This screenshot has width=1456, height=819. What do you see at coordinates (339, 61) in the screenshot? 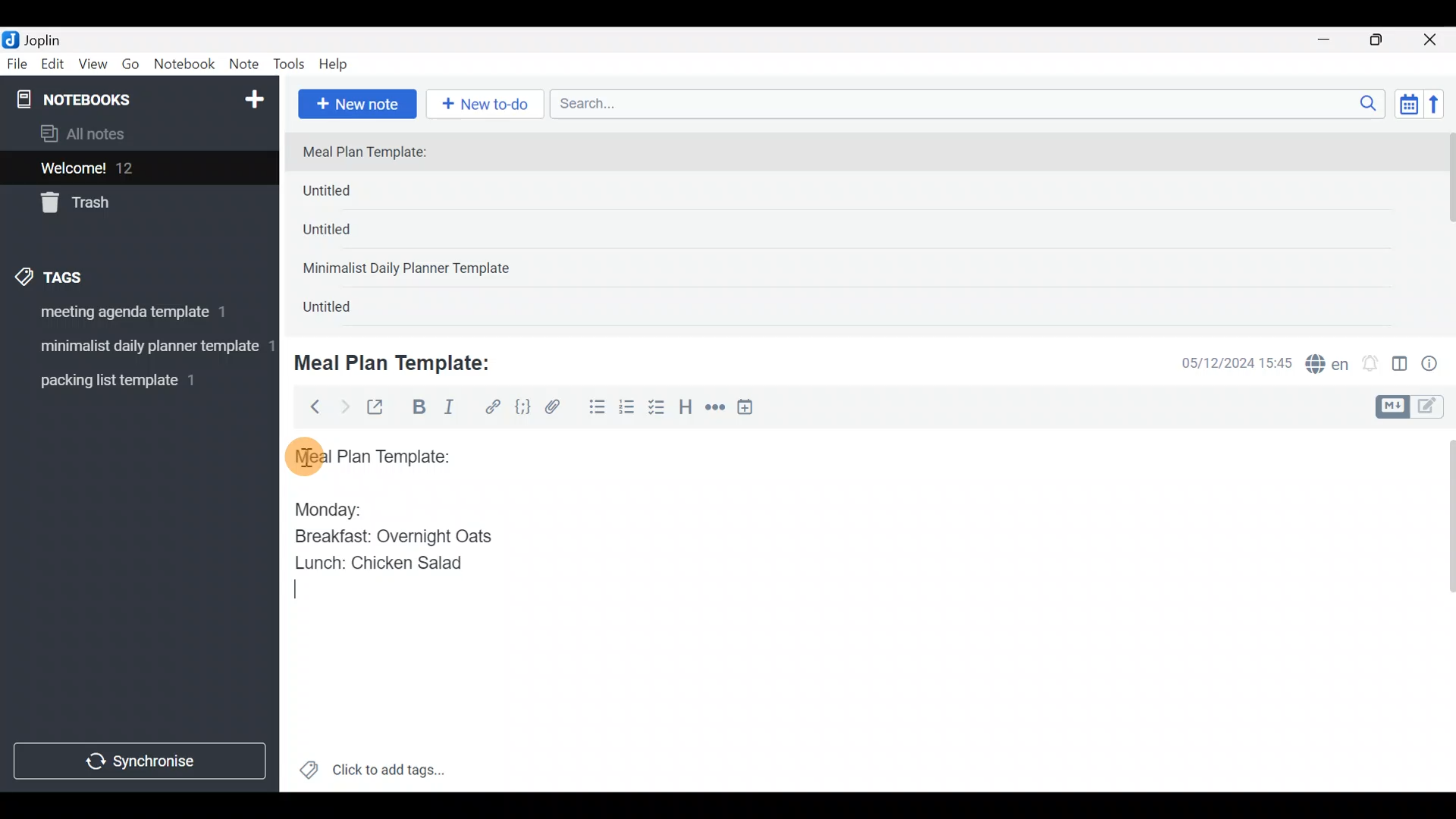
I see `Help` at bounding box center [339, 61].